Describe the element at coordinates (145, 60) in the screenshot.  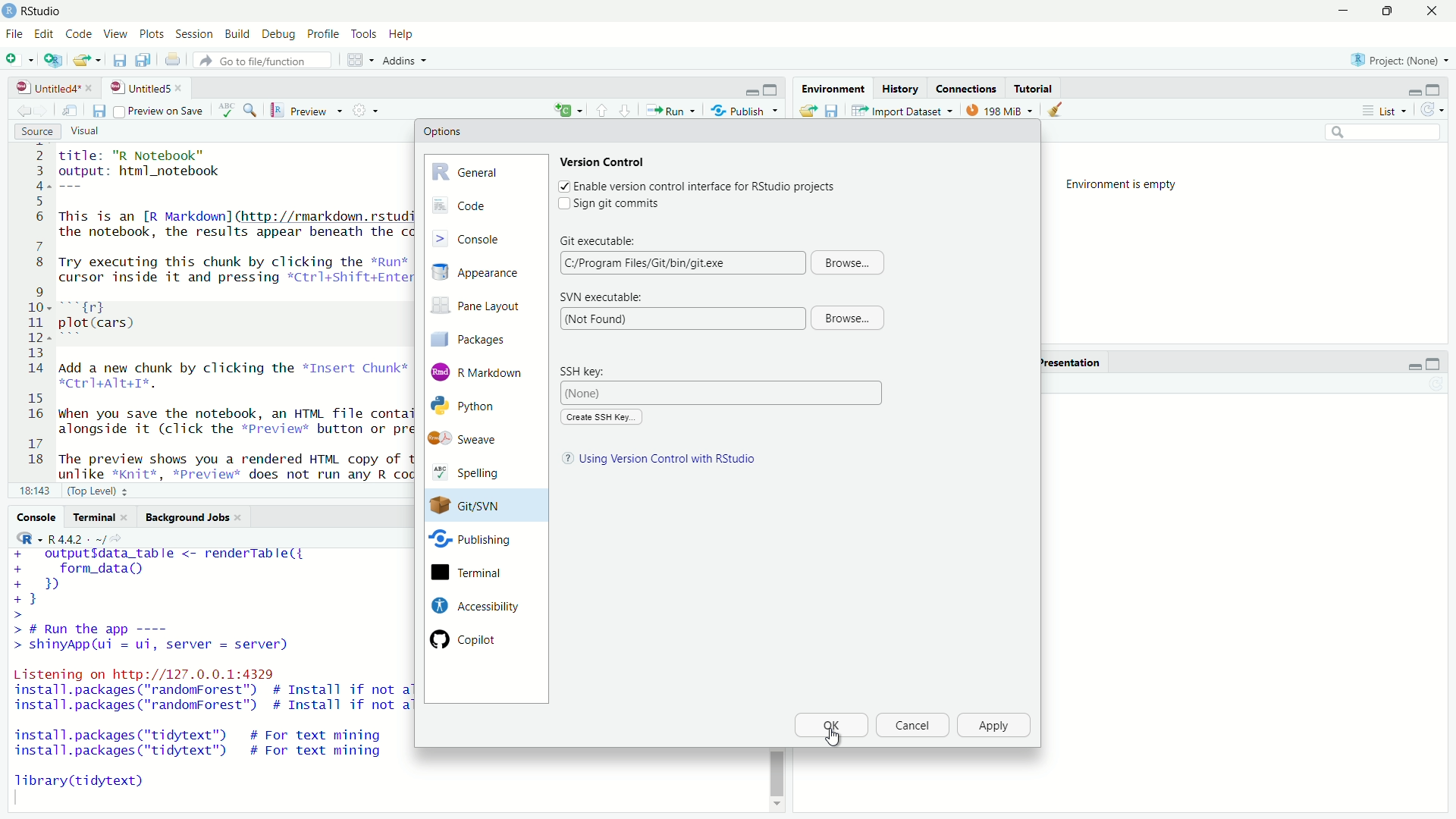
I see `save all open documents` at that location.